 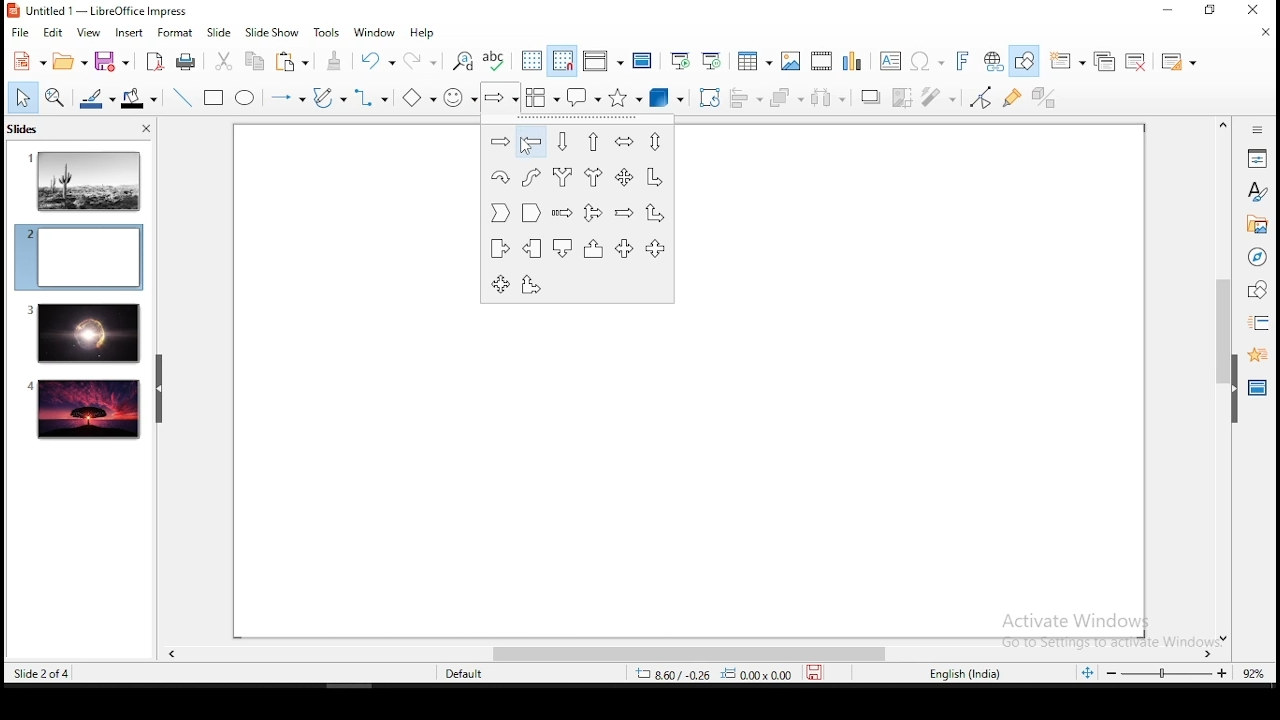 I want to click on master slide, so click(x=642, y=60).